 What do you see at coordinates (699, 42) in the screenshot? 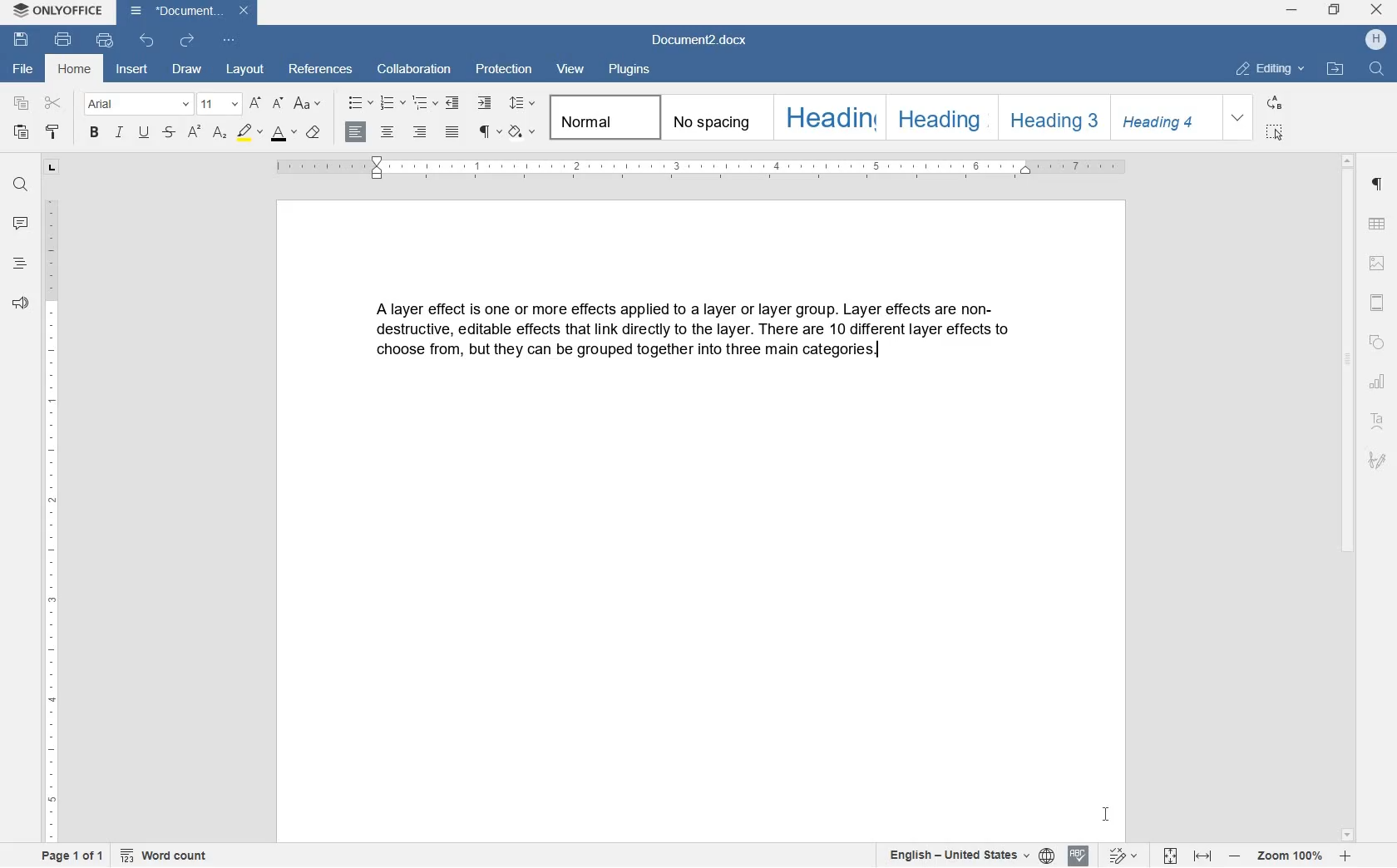
I see `Document2.docx` at bounding box center [699, 42].